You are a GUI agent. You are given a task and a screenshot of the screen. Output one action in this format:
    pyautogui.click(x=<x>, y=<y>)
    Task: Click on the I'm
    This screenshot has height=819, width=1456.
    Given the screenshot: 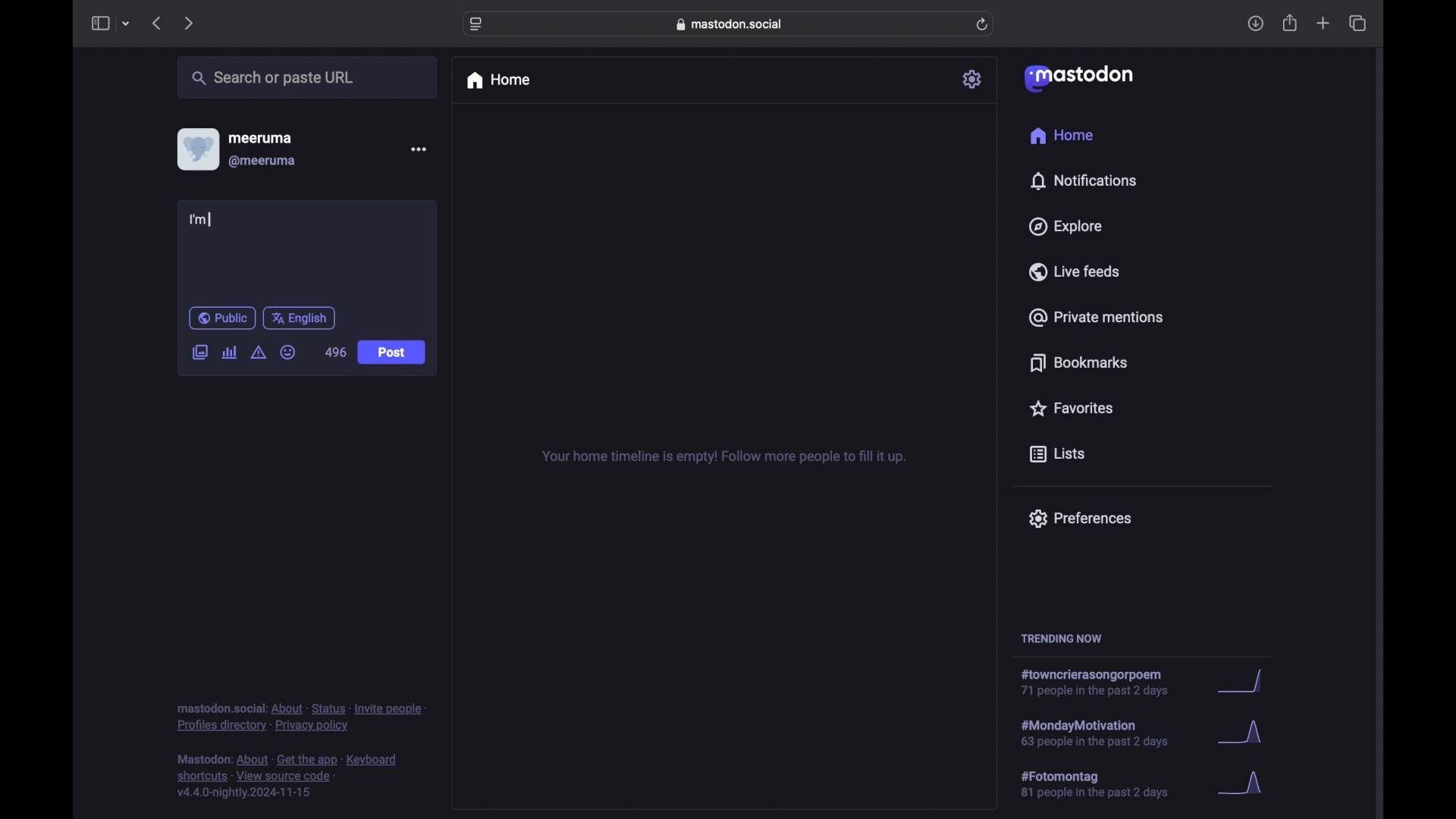 What is the action you would take?
    pyautogui.click(x=202, y=220)
    